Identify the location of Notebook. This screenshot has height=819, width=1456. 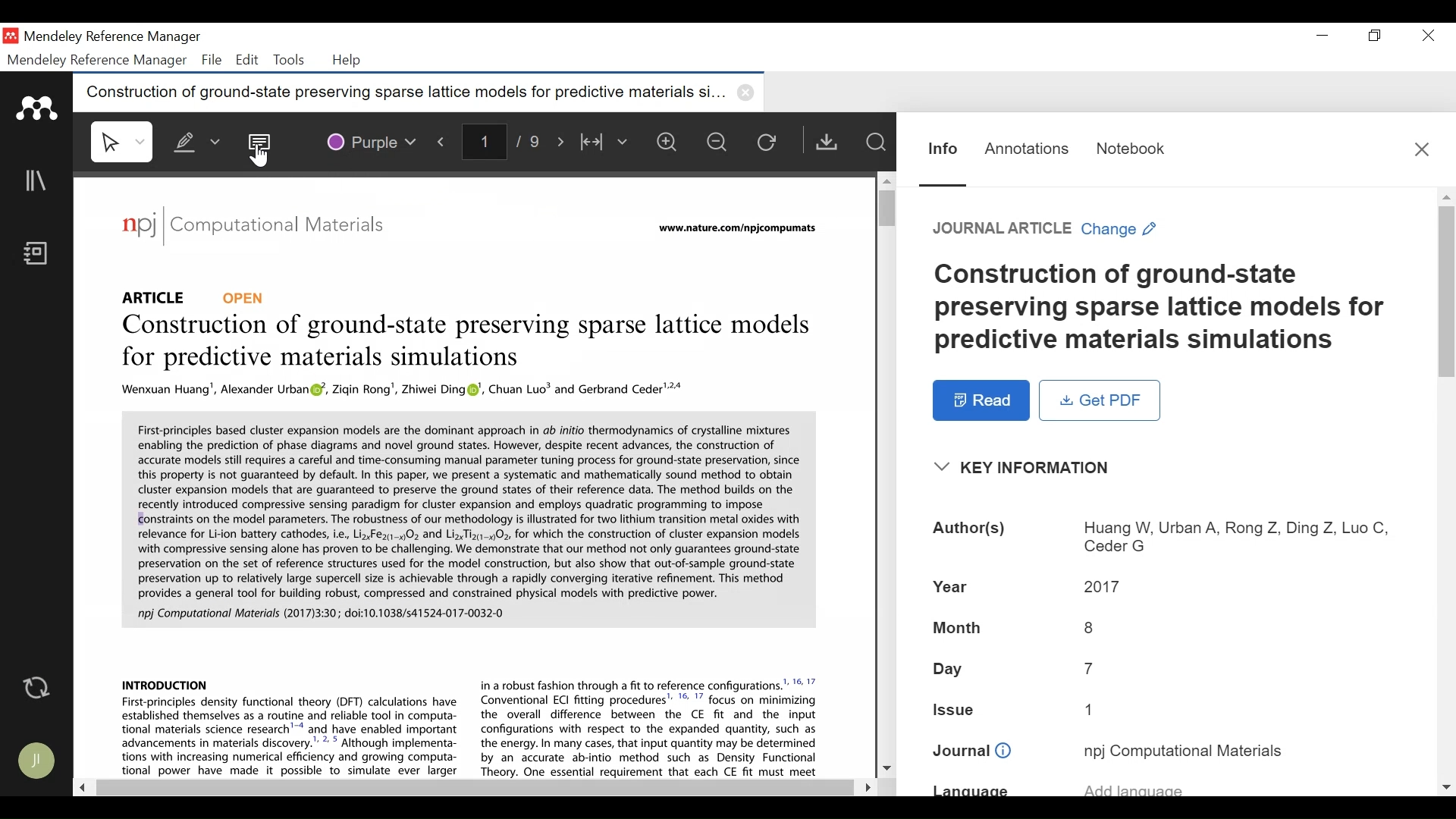
(1129, 146).